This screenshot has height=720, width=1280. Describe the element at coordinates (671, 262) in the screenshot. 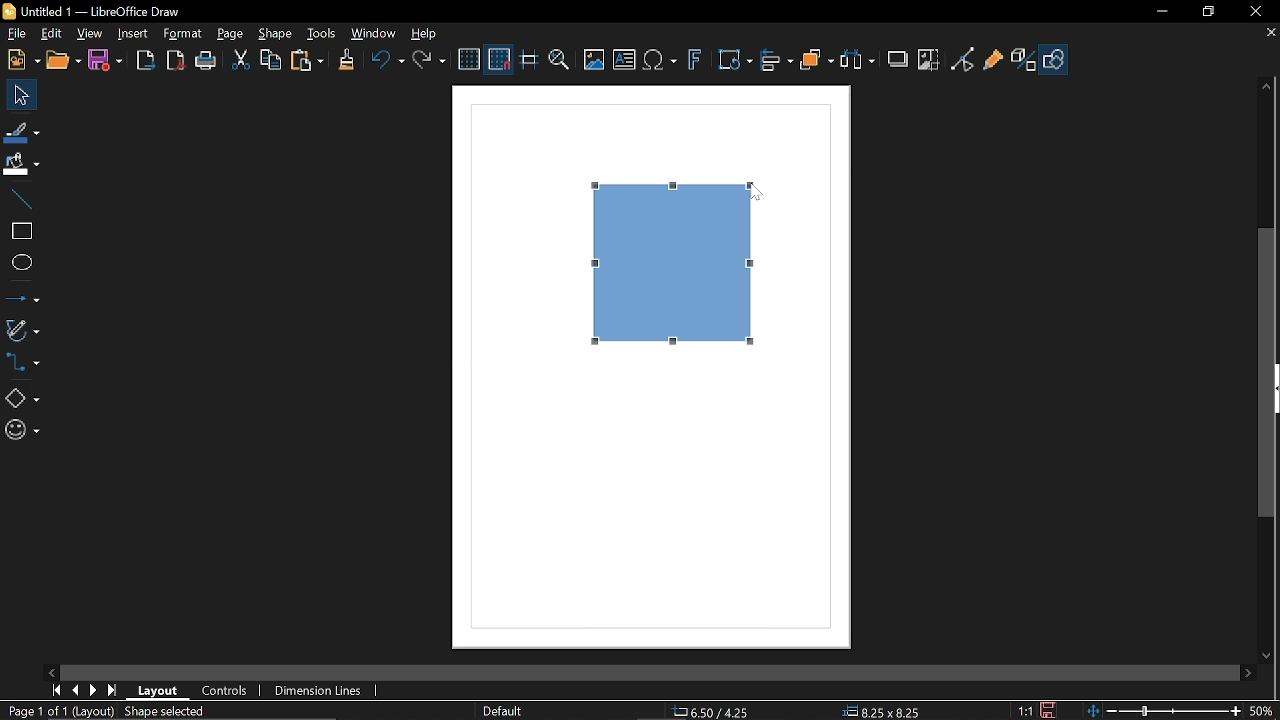

I see `Rectangle (Proportionally resized)` at that location.